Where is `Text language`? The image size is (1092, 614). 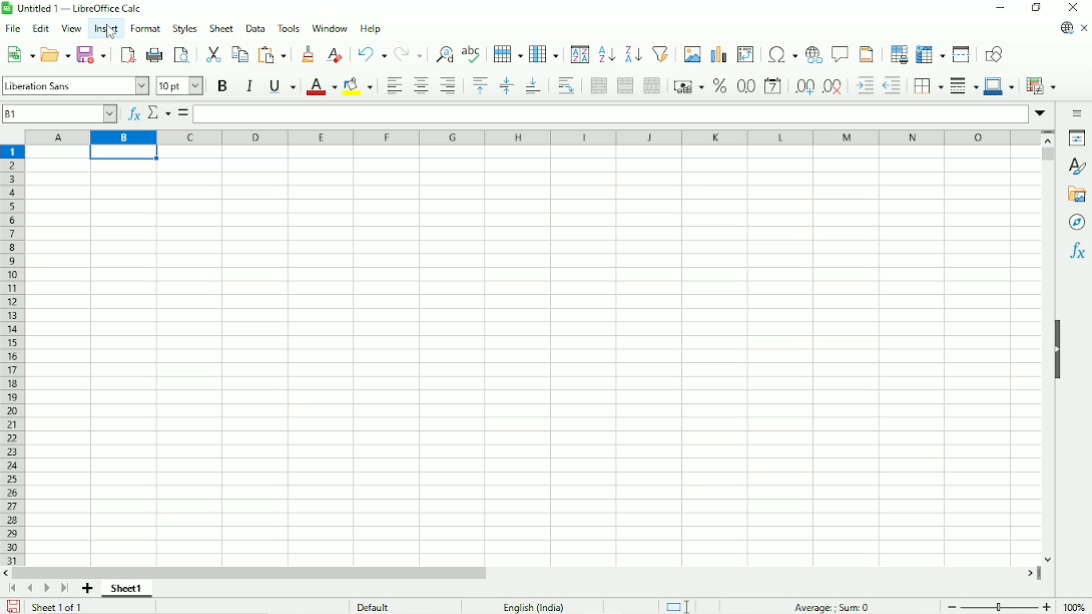
Text language is located at coordinates (534, 606).